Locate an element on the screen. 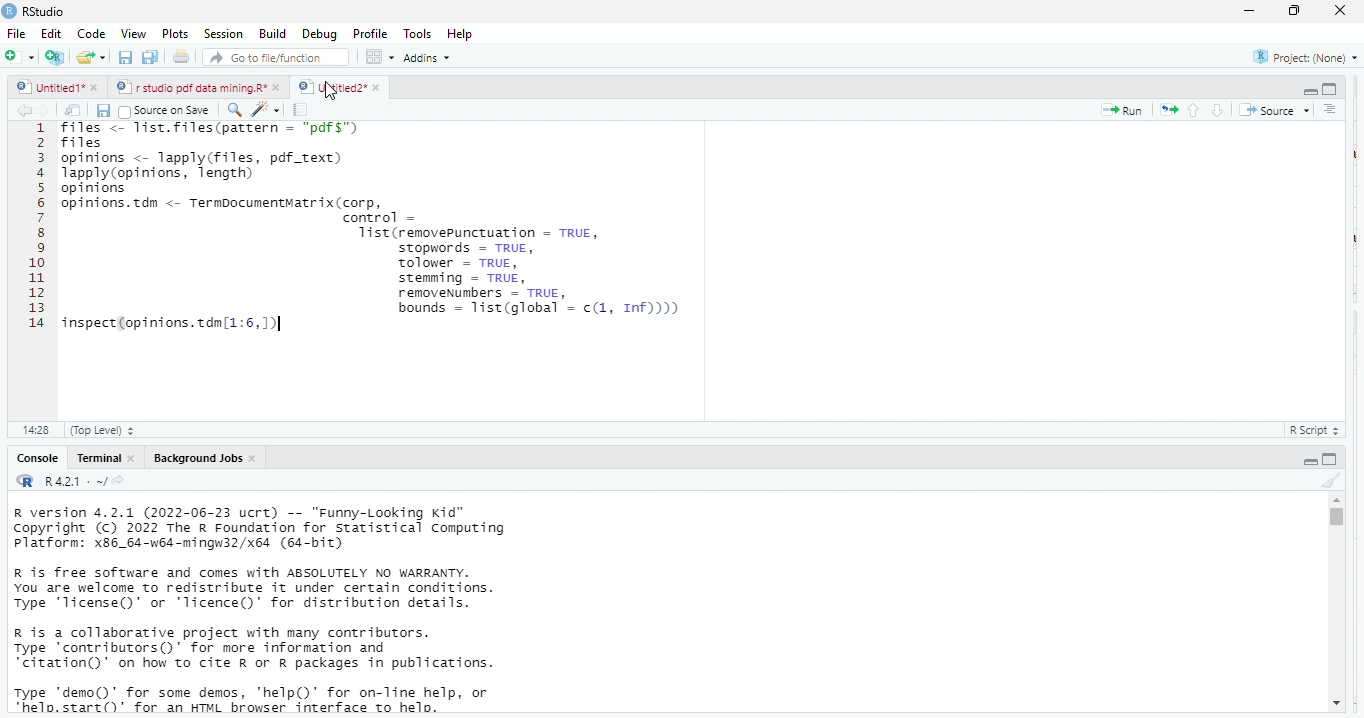  typing cursor is located at coordinates (281, 328).